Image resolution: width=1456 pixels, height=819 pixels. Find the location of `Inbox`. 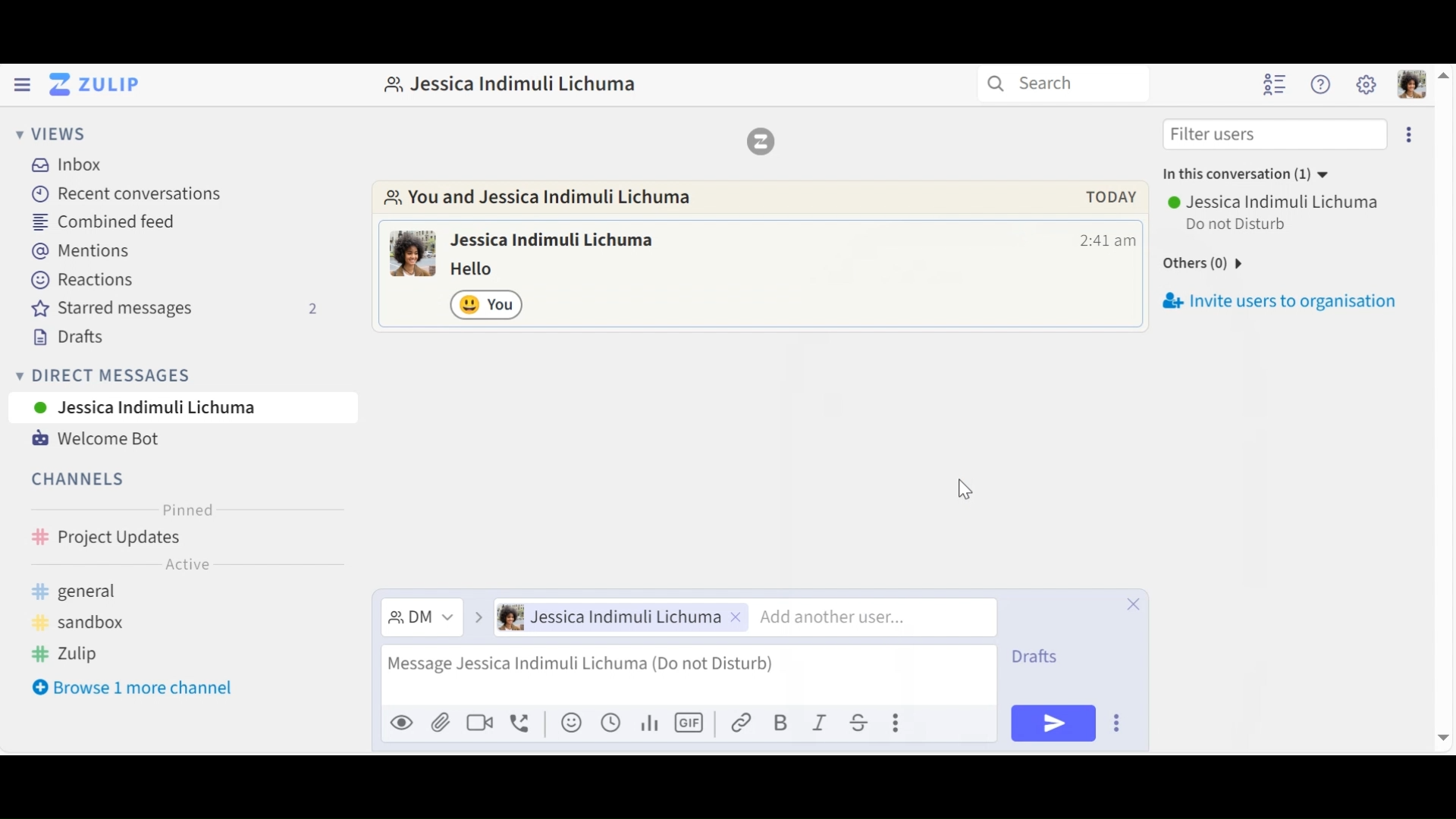

Inbox is located at coordinates (77, 164).